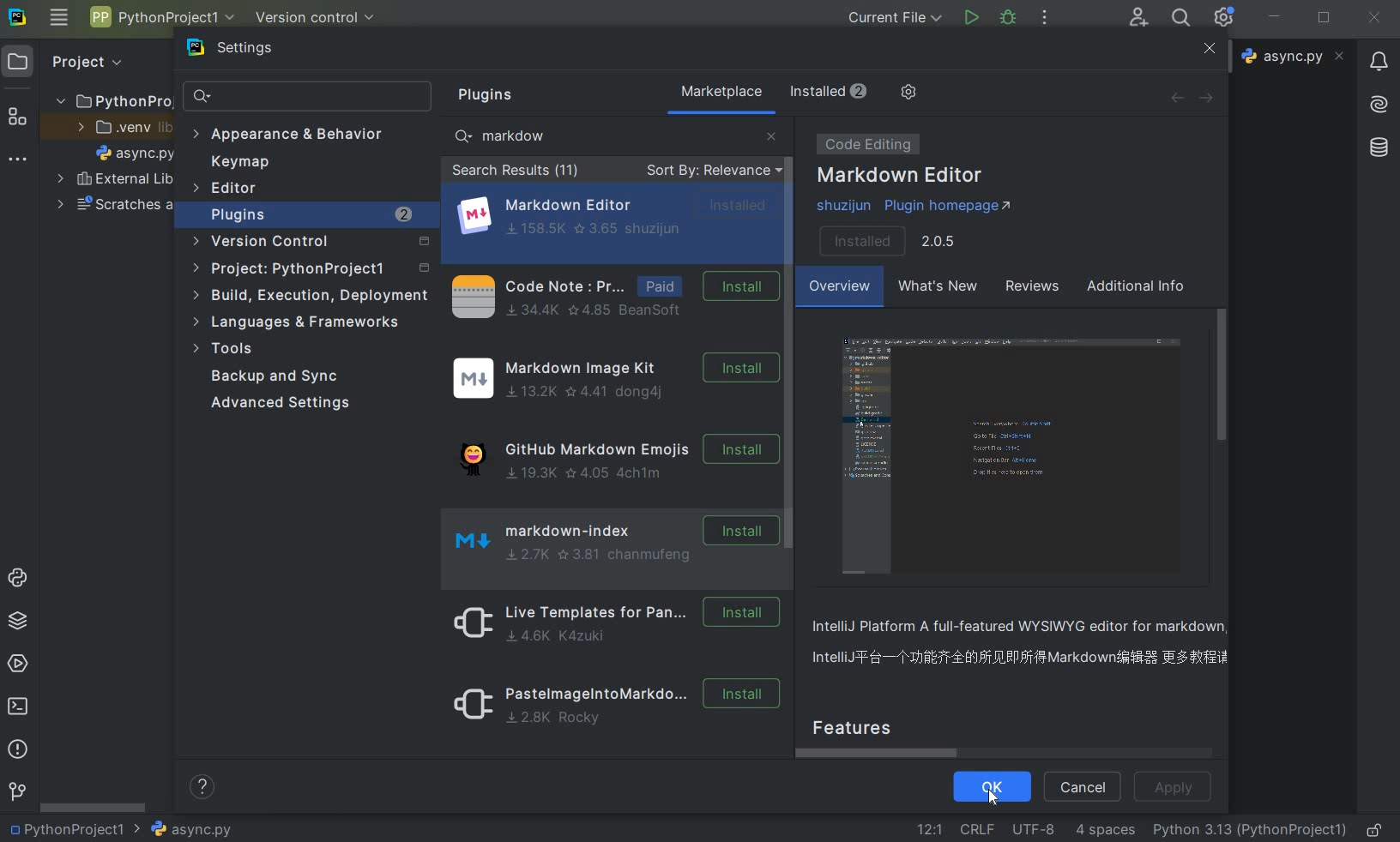  What do you see at coordinates (16, 622) in the screenshot?
I see `python packages` at bounding box center [16, 622].